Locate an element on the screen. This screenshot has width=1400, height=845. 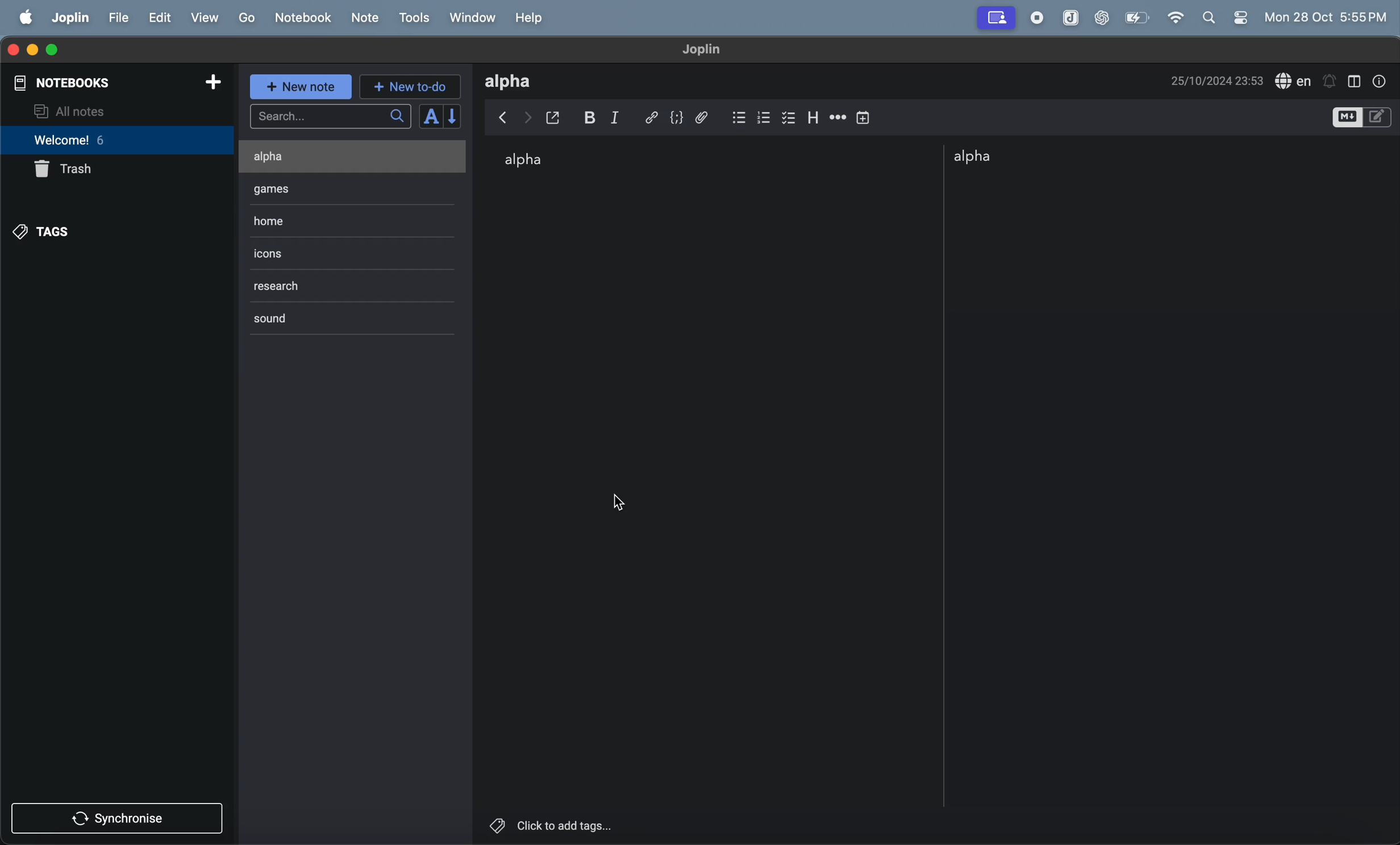
alpha note is located at coordinates (1002, 157).